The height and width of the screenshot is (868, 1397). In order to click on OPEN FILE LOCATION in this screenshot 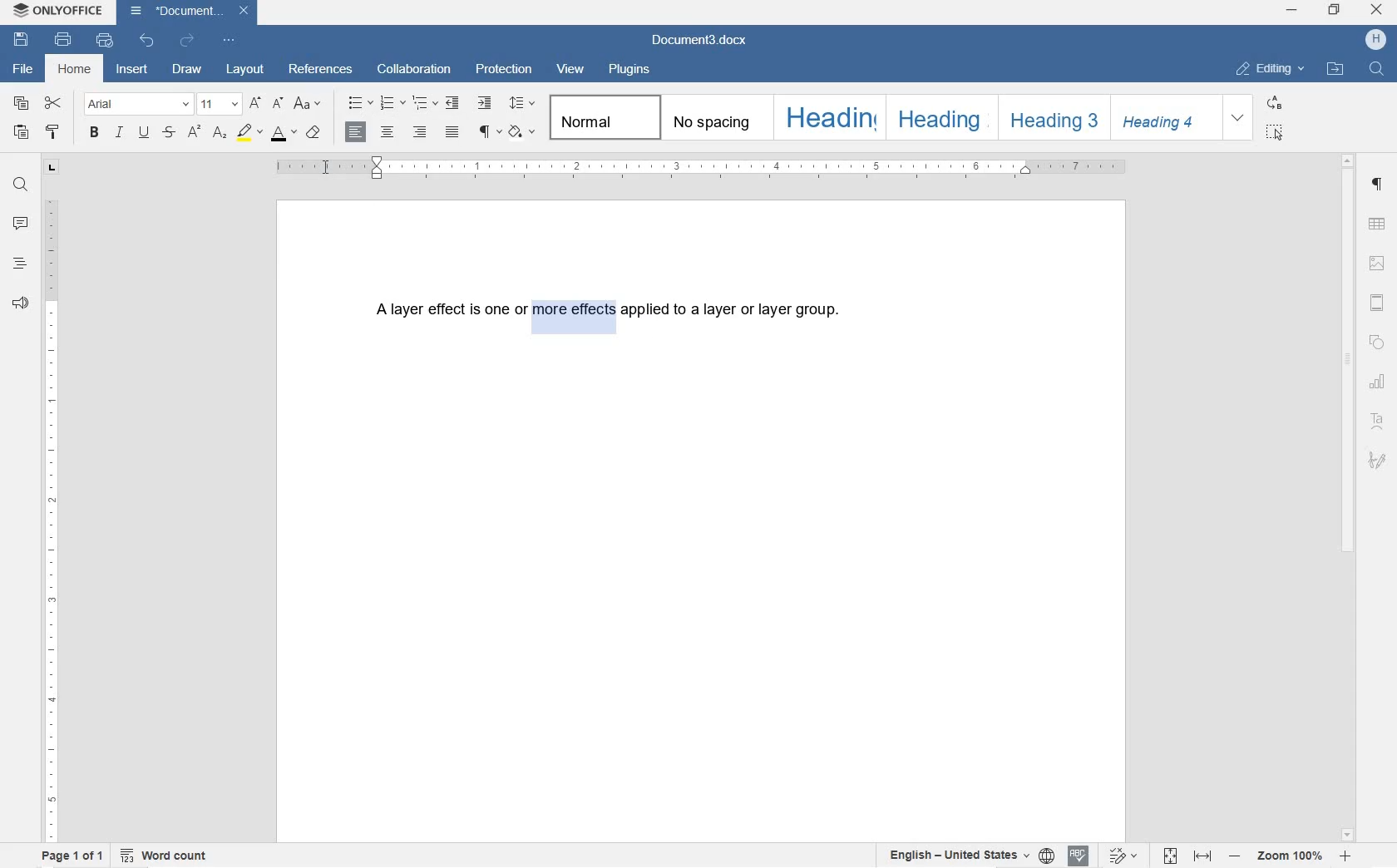, I will do `click(1337, 70)`.